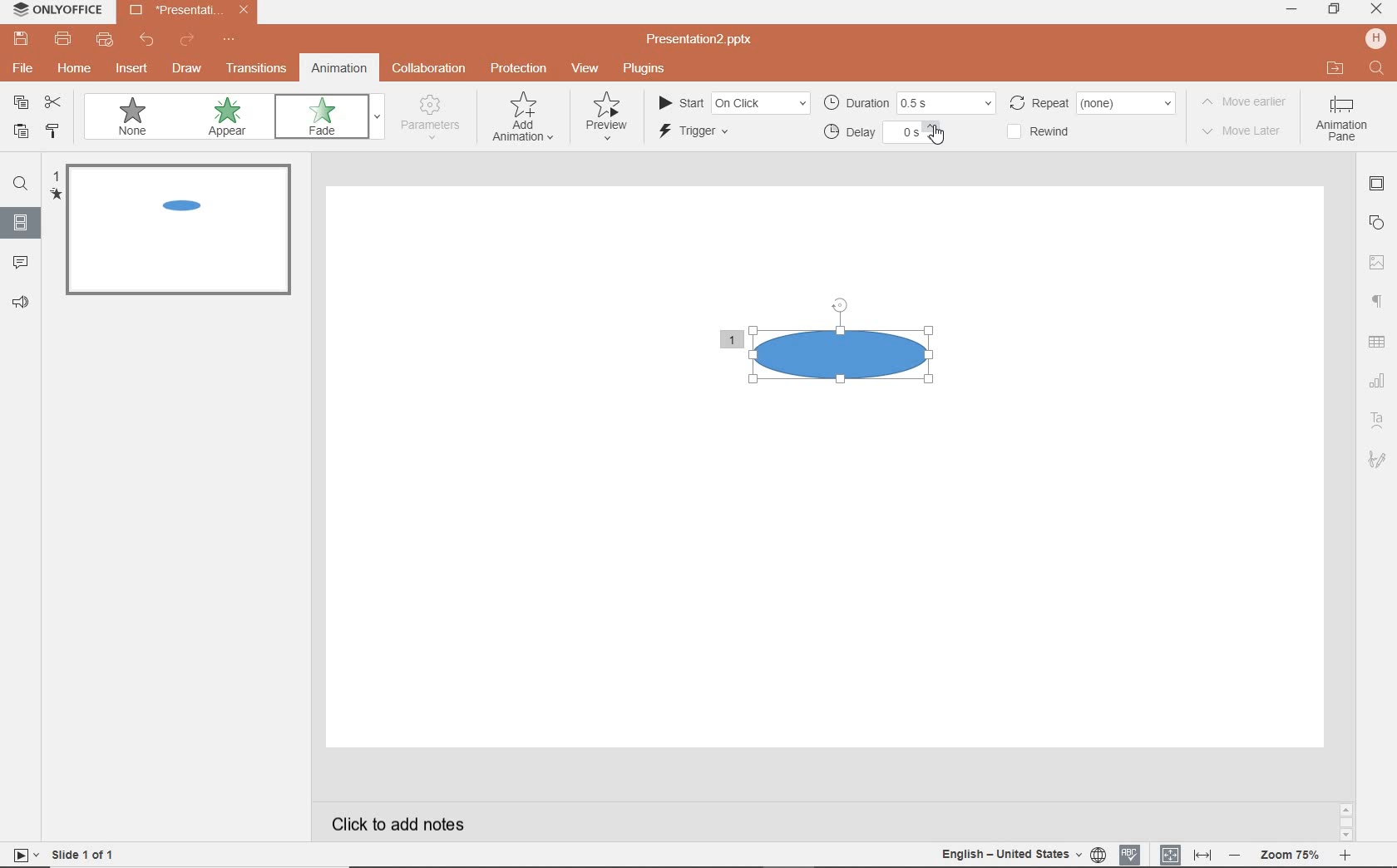 This screenshot has height=868, width=1397. Describe the element at coordinates (106, 41) in the screenshot. I see `quick print` at that location.